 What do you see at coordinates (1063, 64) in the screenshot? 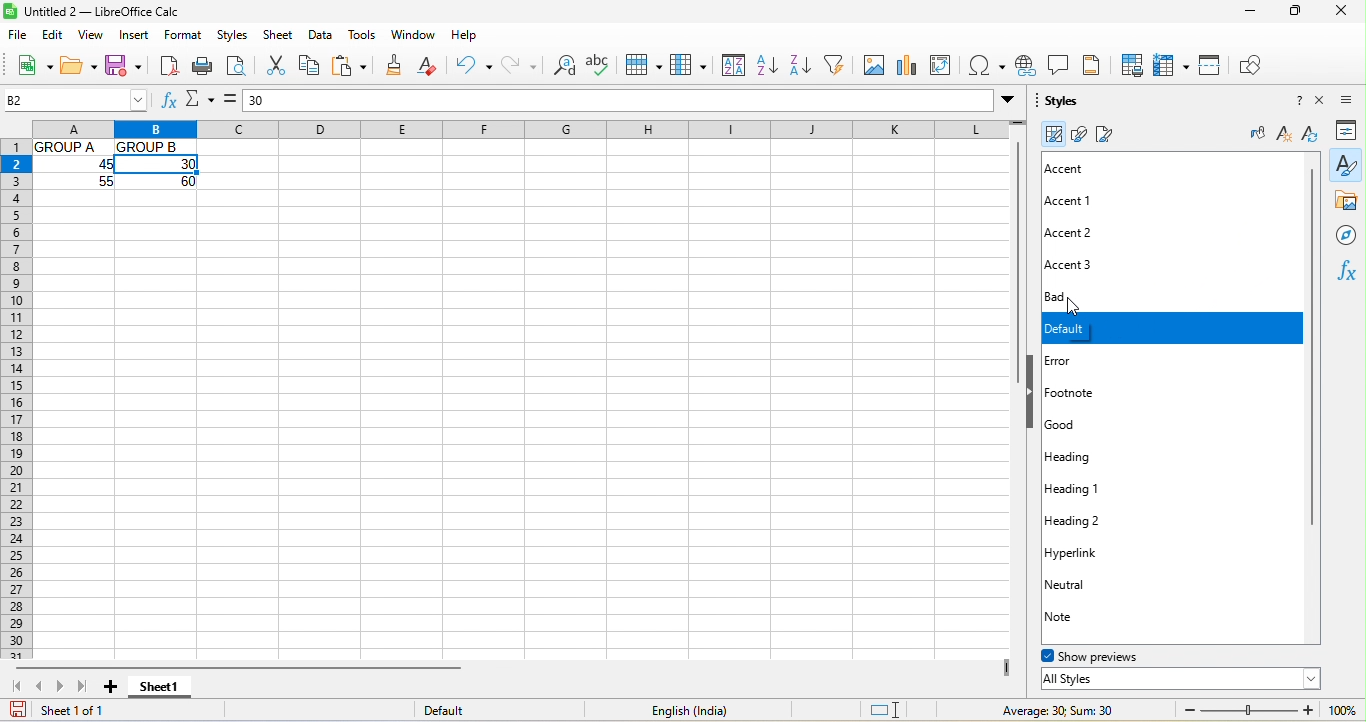
I see `comment` at bounding box center [1063, 64].